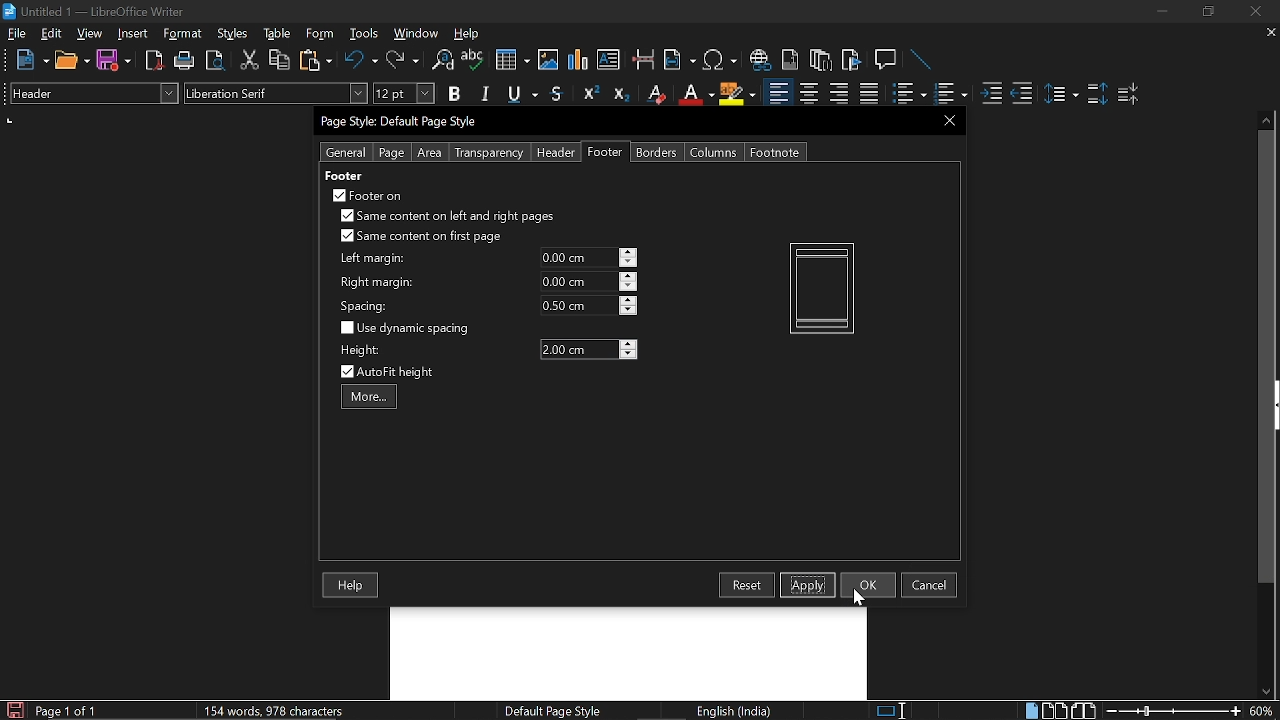 This screenshot has height=720, width=1280. I want to click on Strike through, so click(557, 93).